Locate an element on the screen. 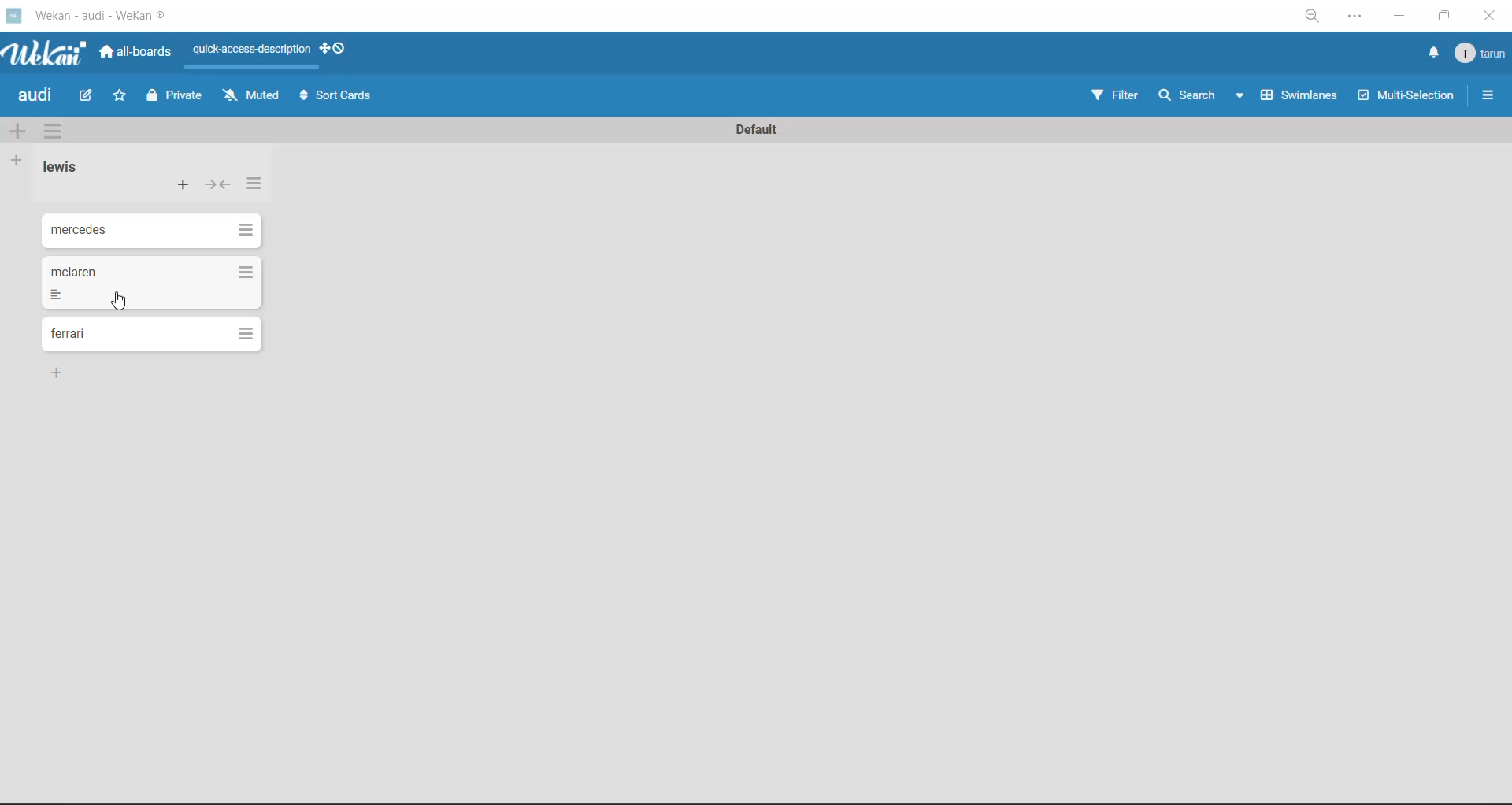 This screenshot has height=805, width=1512. collapse is located at coordinates (217, 184).